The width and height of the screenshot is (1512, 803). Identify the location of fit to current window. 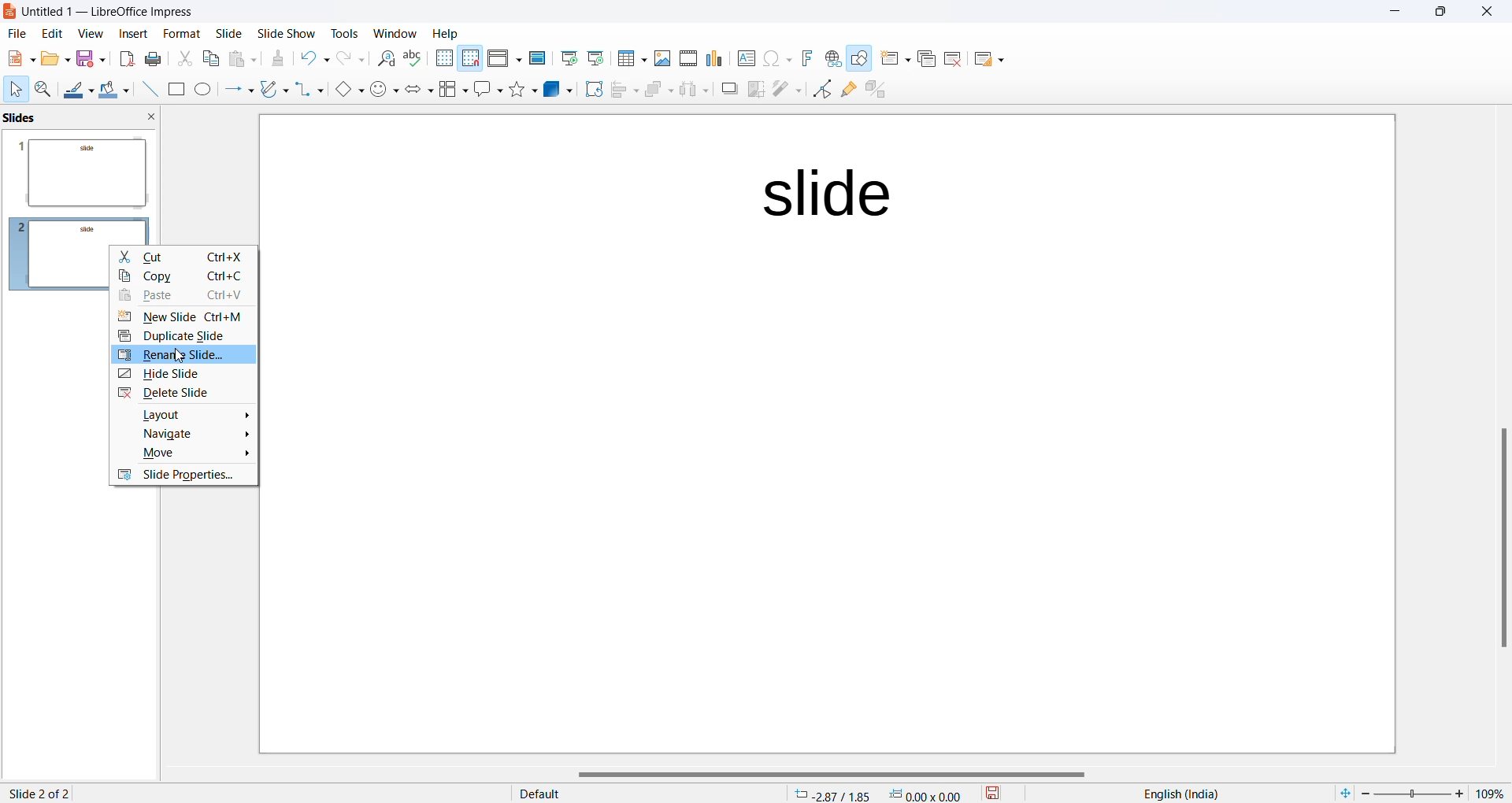
(1341, 793).